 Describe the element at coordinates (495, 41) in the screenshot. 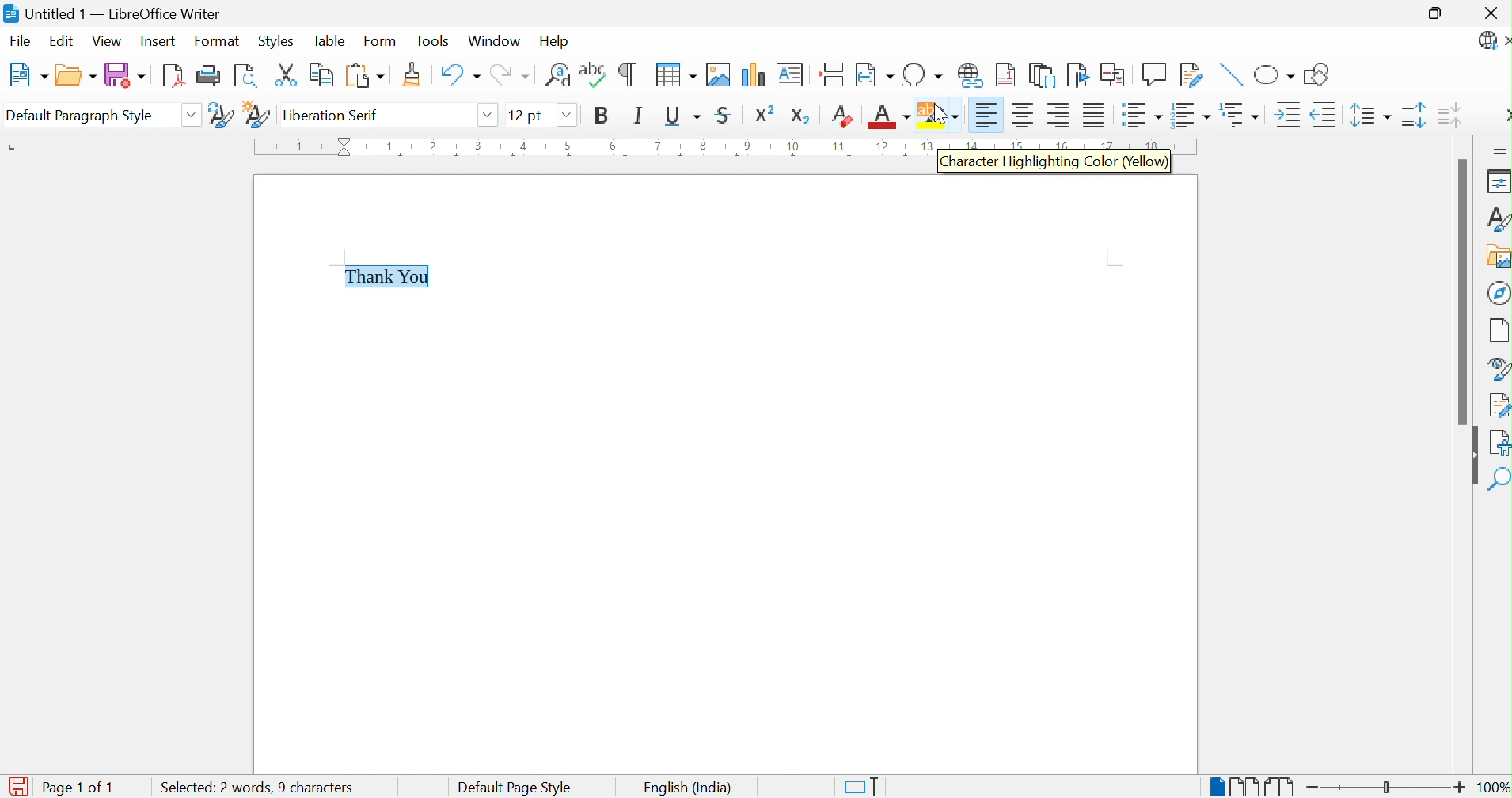

I see `Window` at that location.